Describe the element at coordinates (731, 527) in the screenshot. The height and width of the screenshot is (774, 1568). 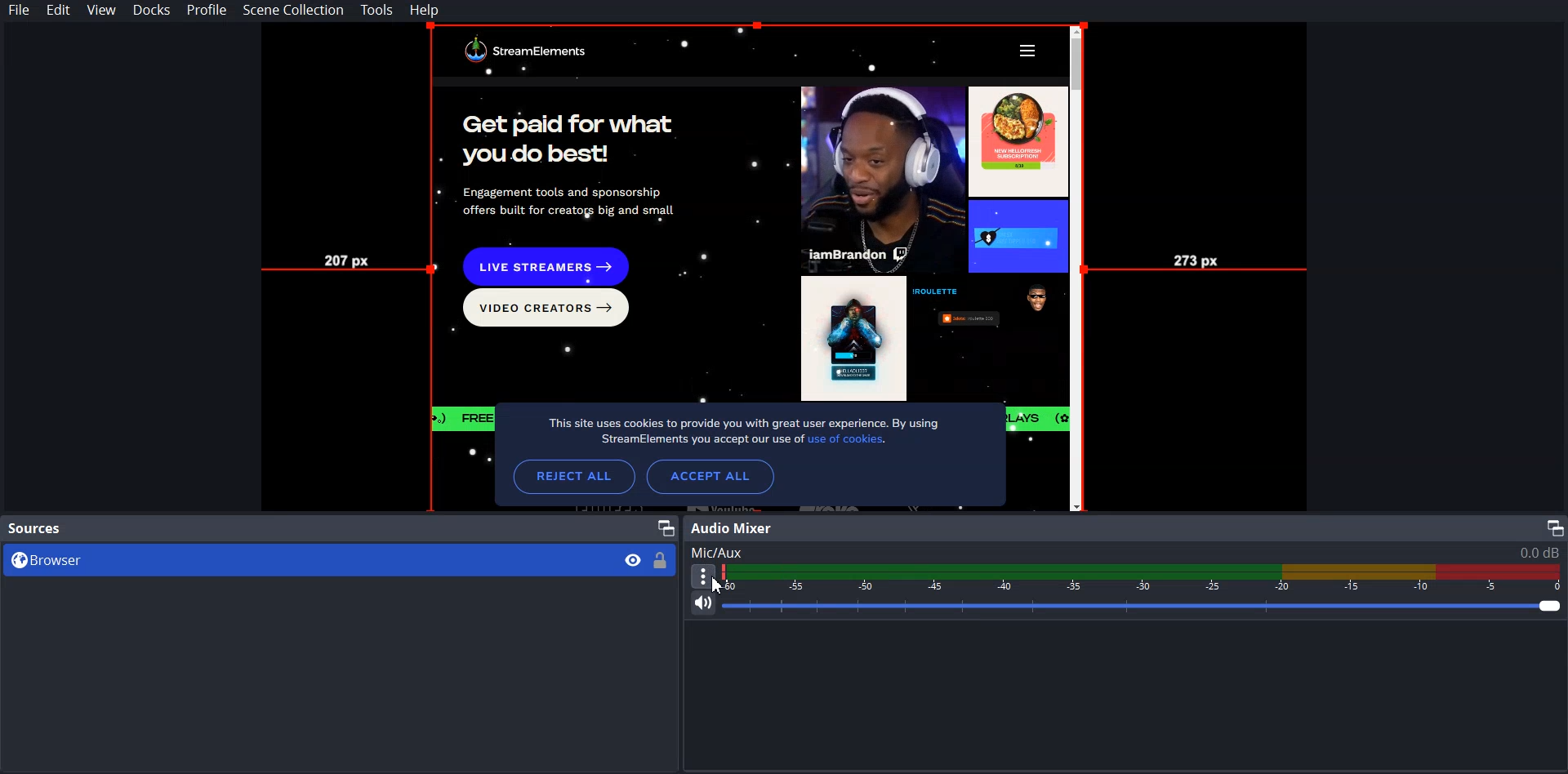
I see `Audio Mixer` at that location.